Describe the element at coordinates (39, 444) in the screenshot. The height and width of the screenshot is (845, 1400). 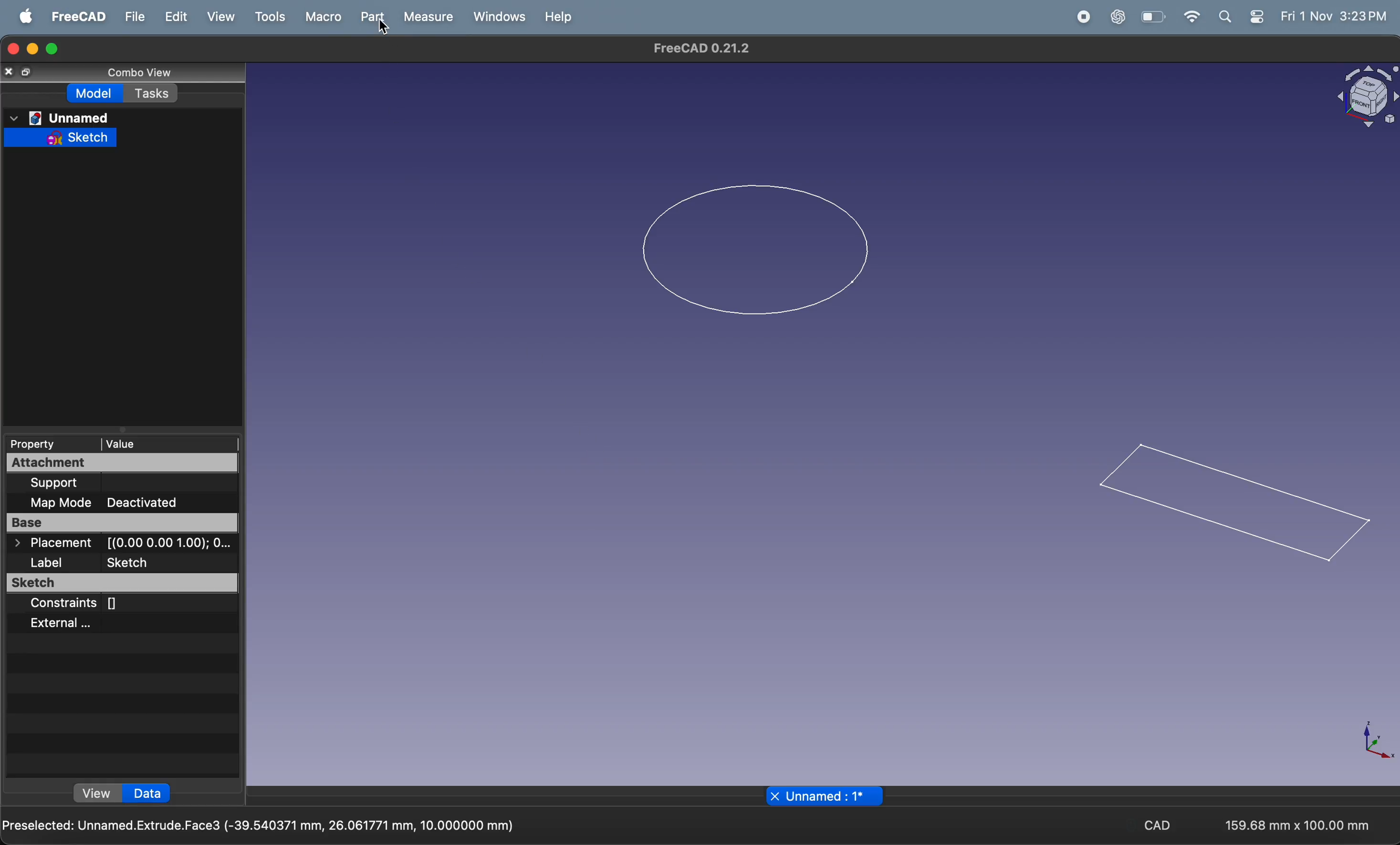
I see `Property` at that location.